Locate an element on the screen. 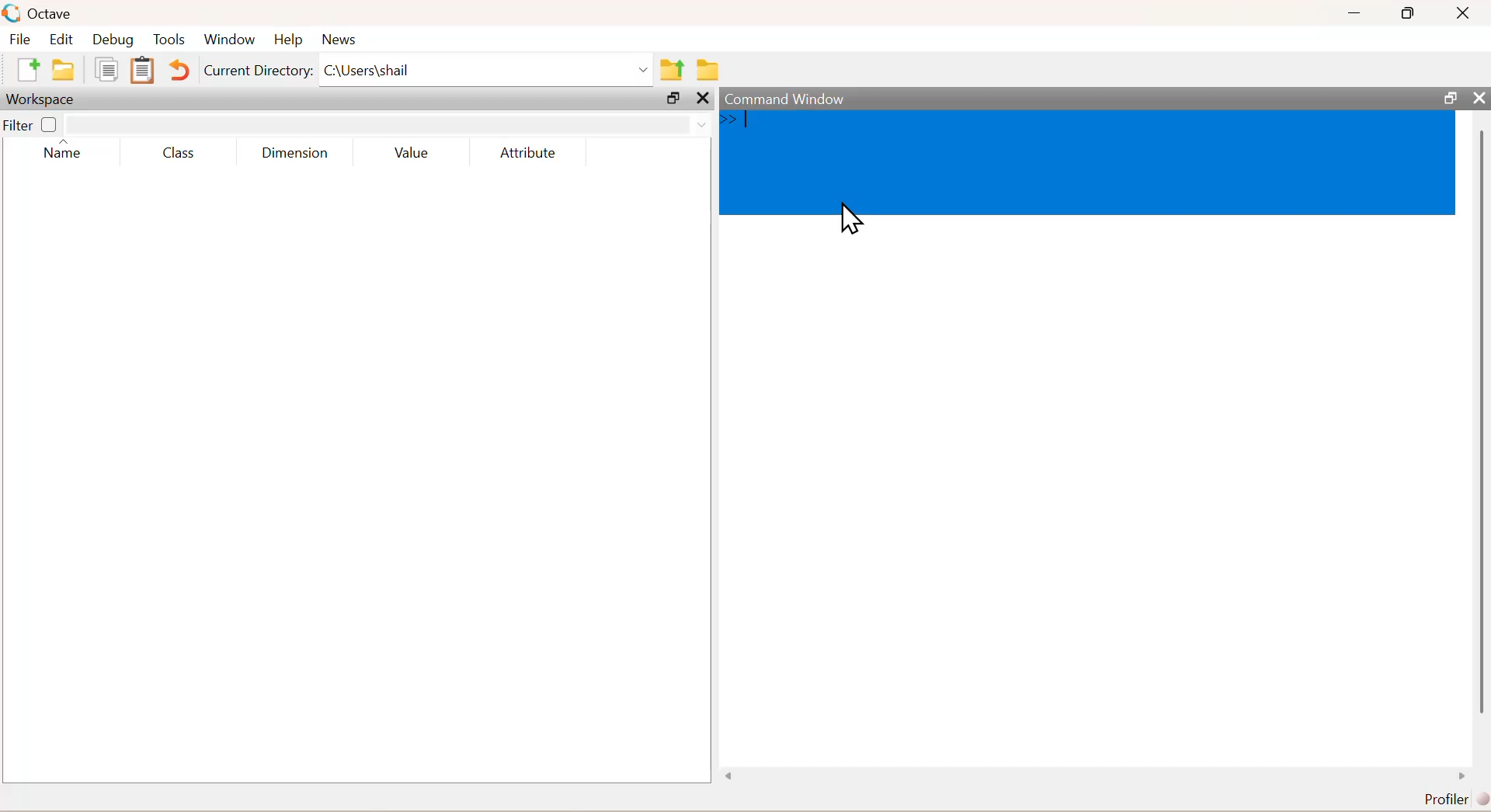  debug is located at coordinates (113, 40).